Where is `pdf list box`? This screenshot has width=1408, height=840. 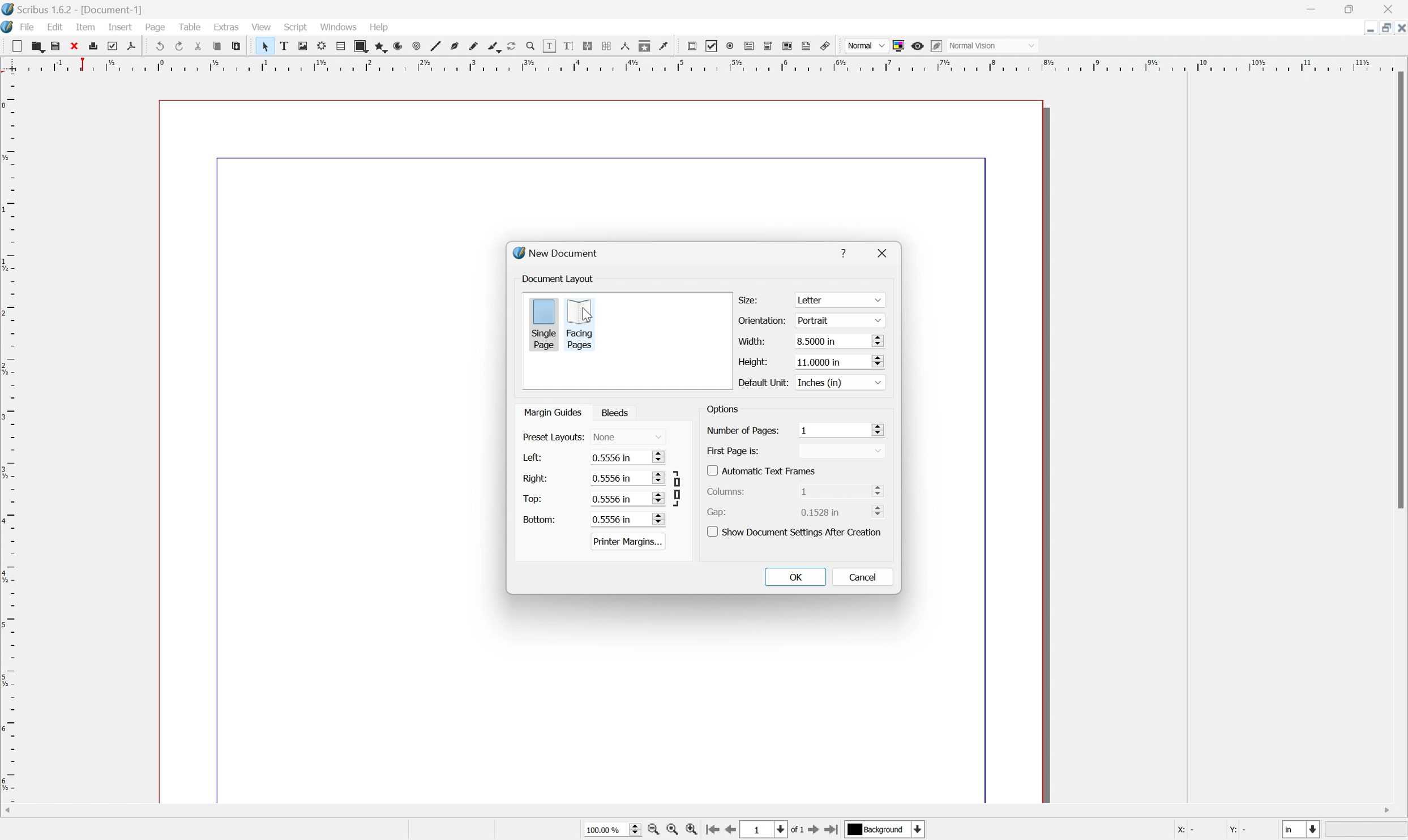 pdf list box is located at coordinates (788, 46).